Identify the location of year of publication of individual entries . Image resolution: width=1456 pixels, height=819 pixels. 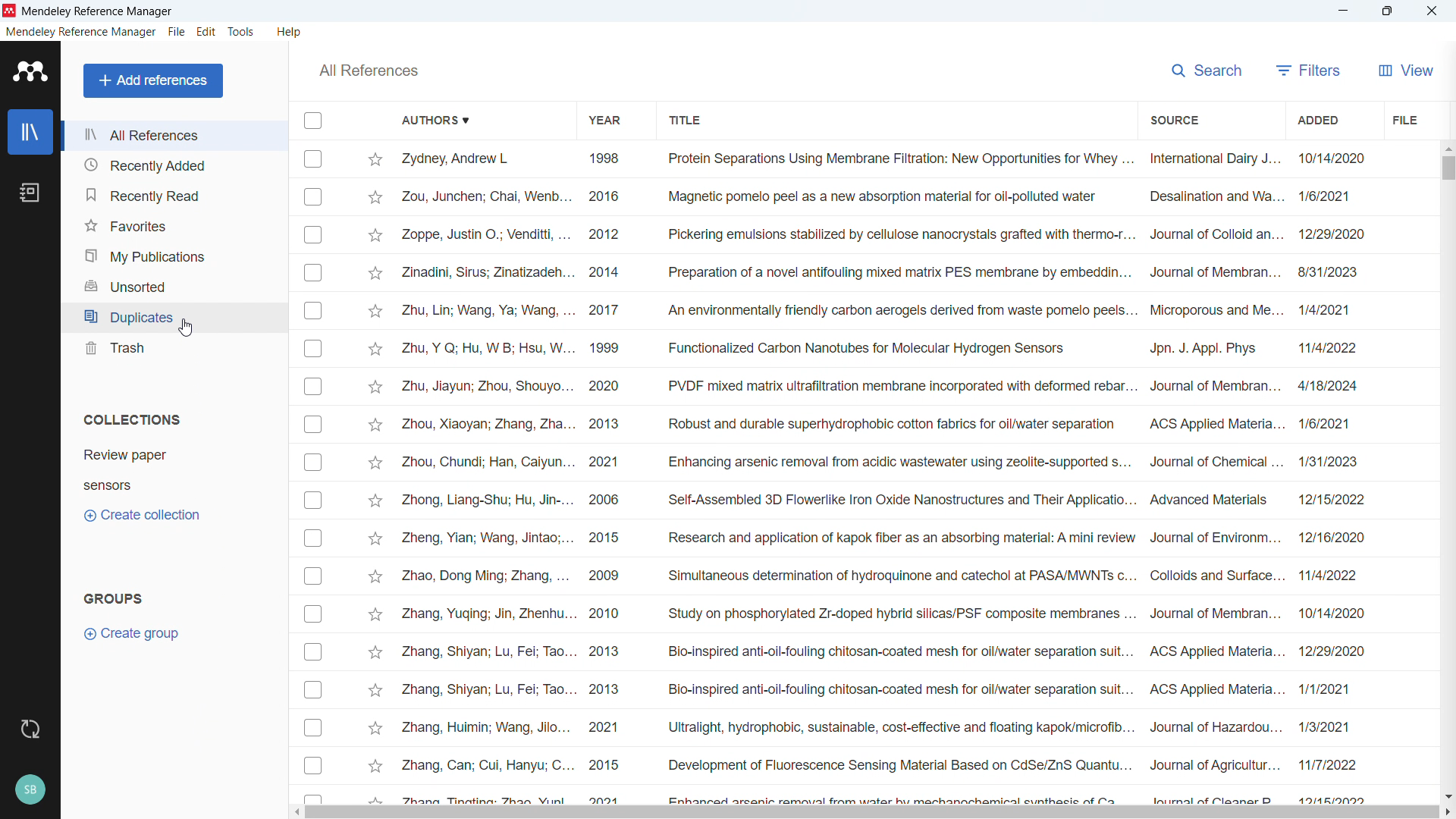
(604, 475).